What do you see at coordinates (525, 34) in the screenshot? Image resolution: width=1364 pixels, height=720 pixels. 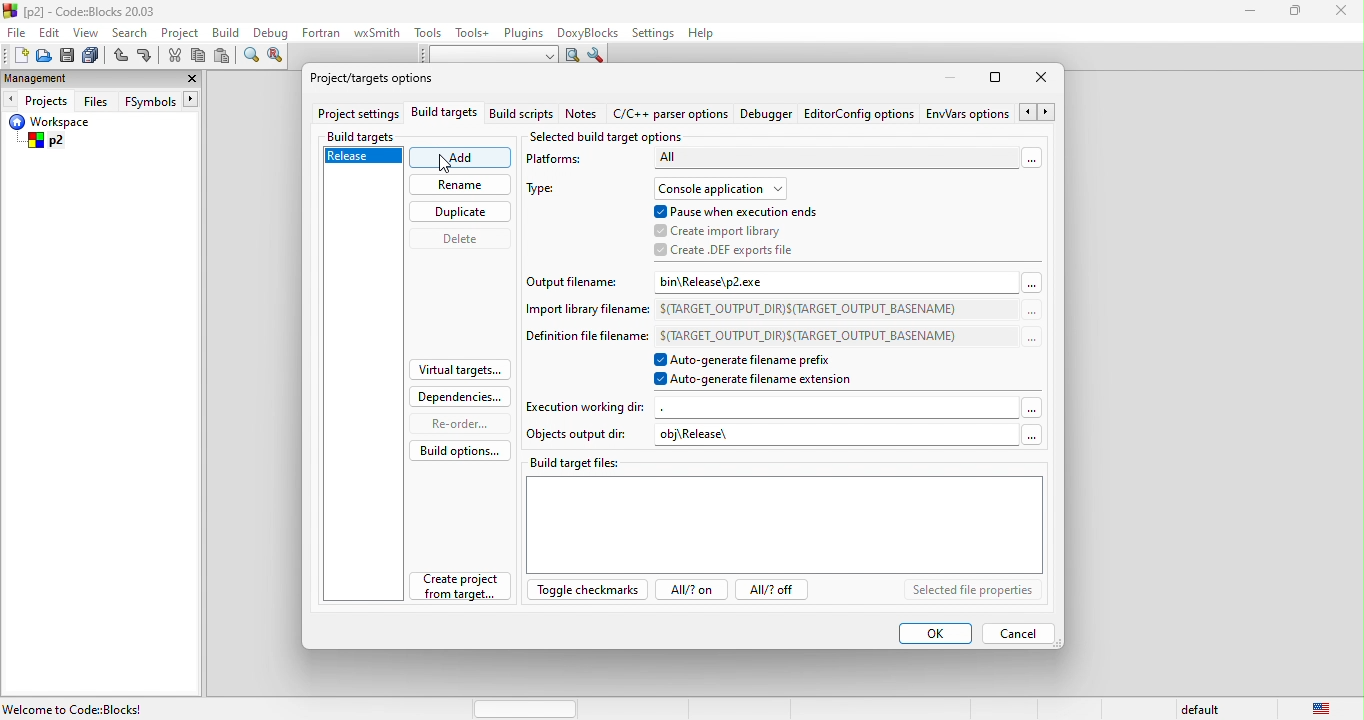 I see `plugins` at bounding box center [525, 34].